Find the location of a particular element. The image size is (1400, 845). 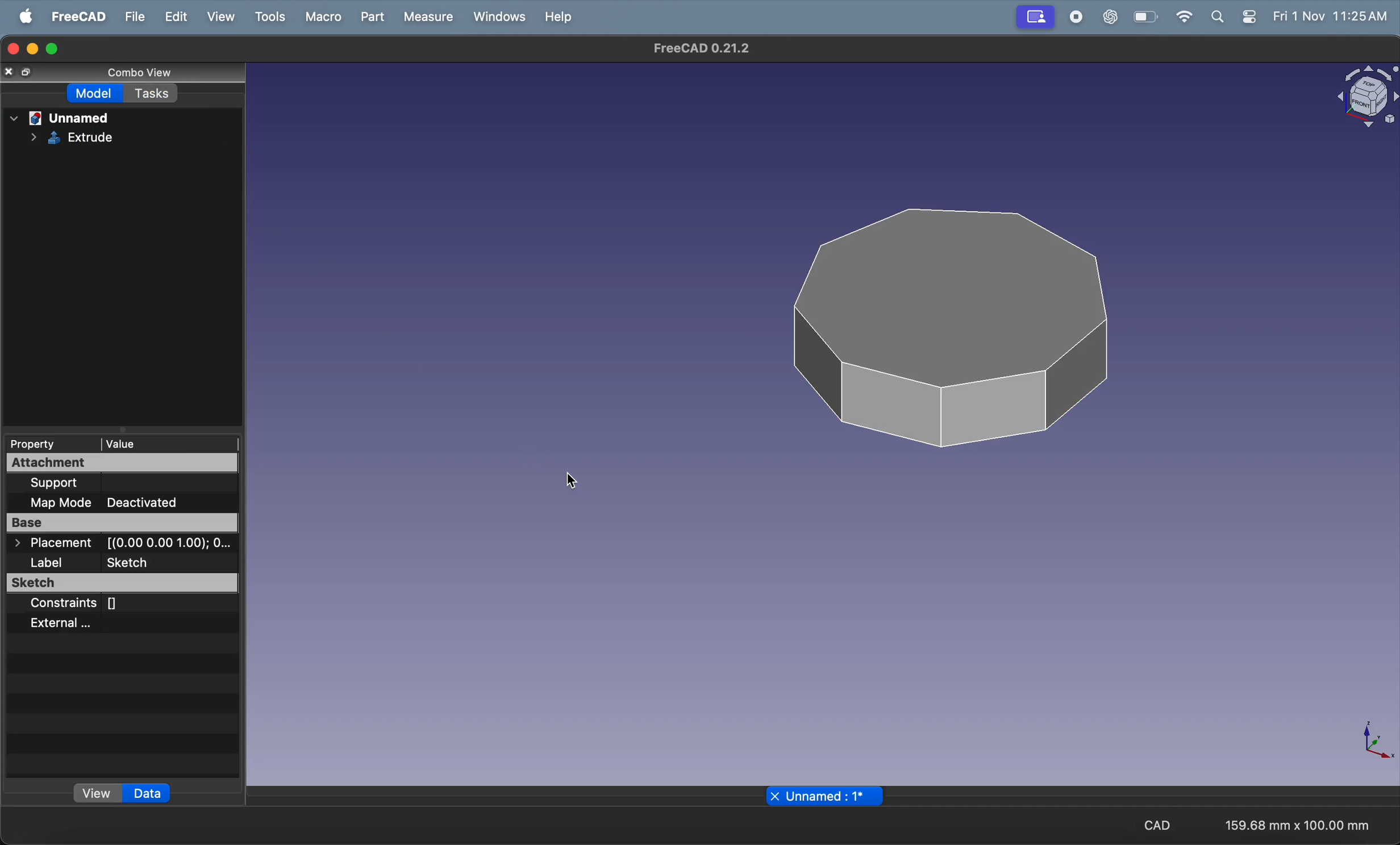

label is located at coordinates (93, 561).